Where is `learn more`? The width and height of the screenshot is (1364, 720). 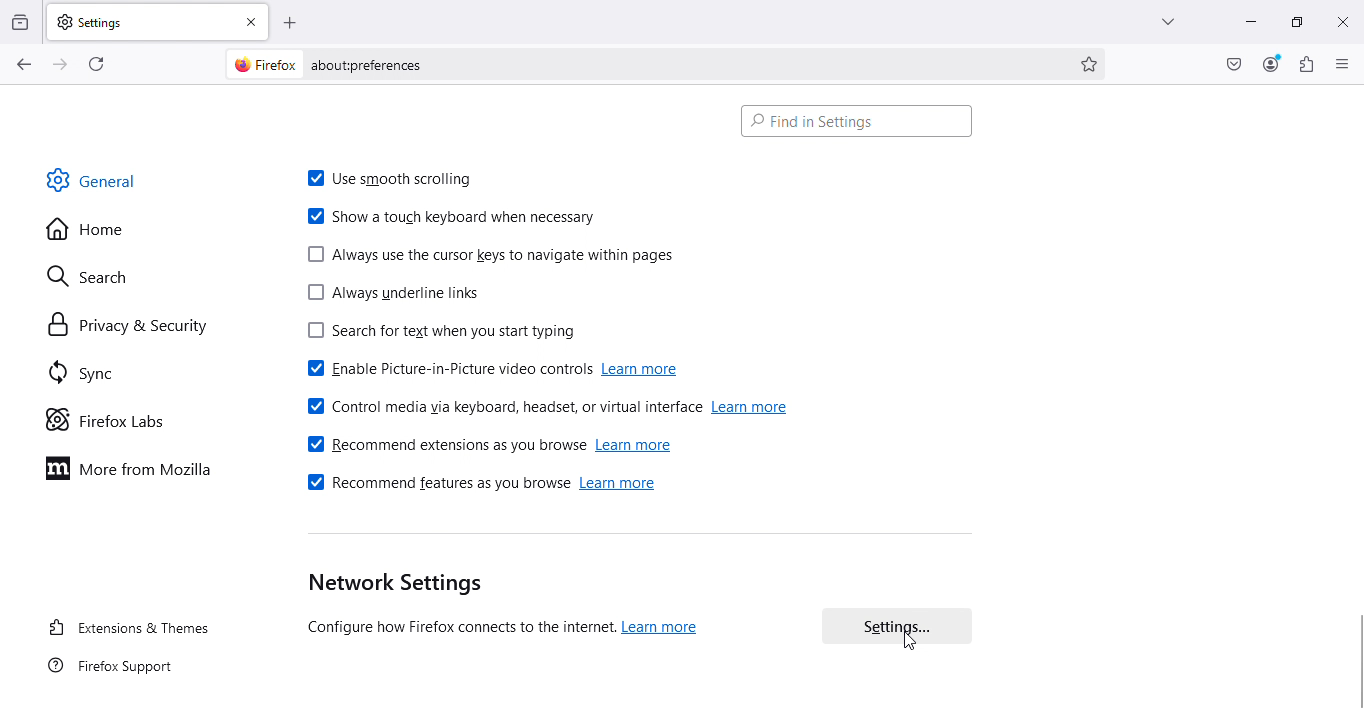
learn more is located at coordinates (635, 446).